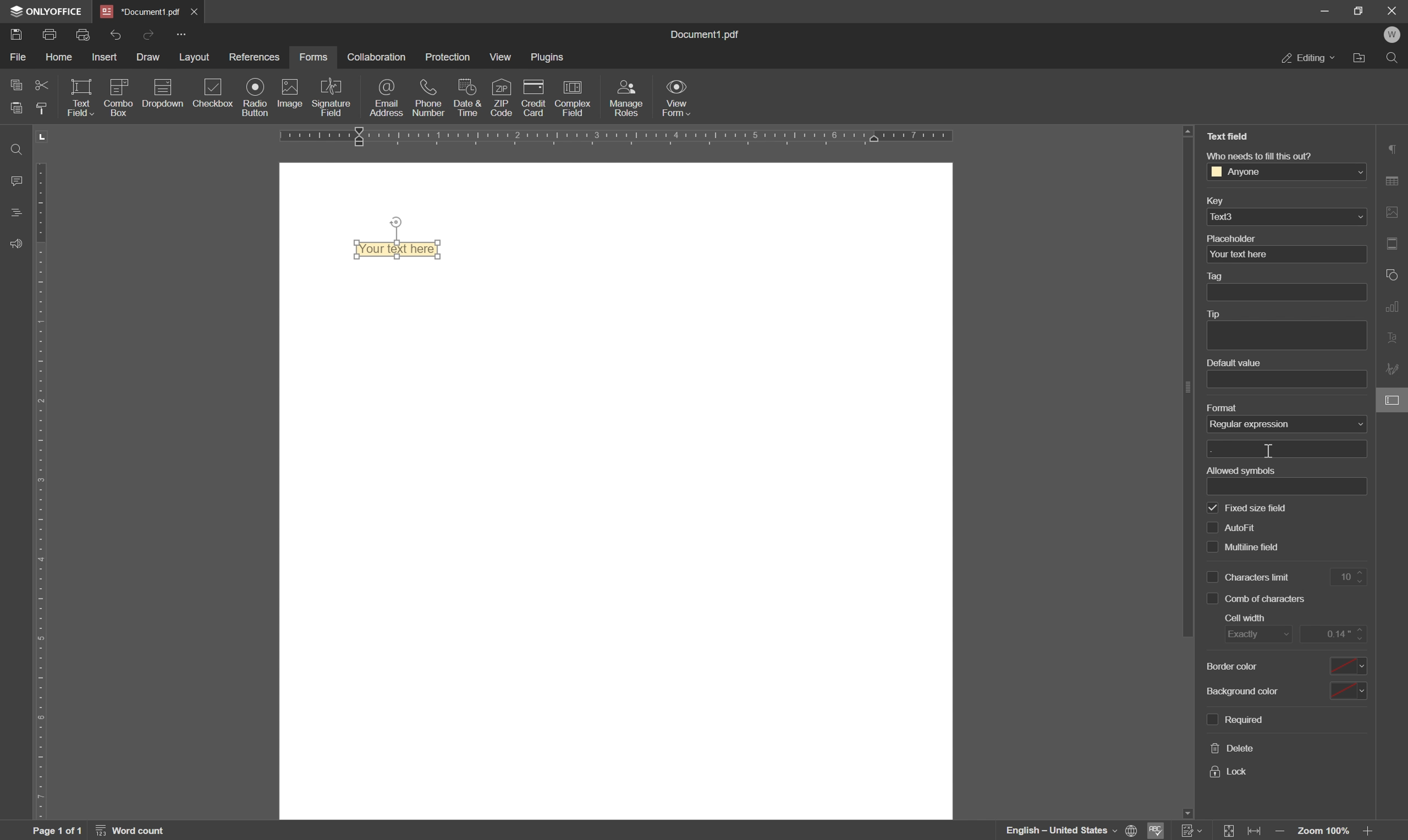  Describe the element at coordinates (161, 96) in the screenshot. I see `icon` at that location.